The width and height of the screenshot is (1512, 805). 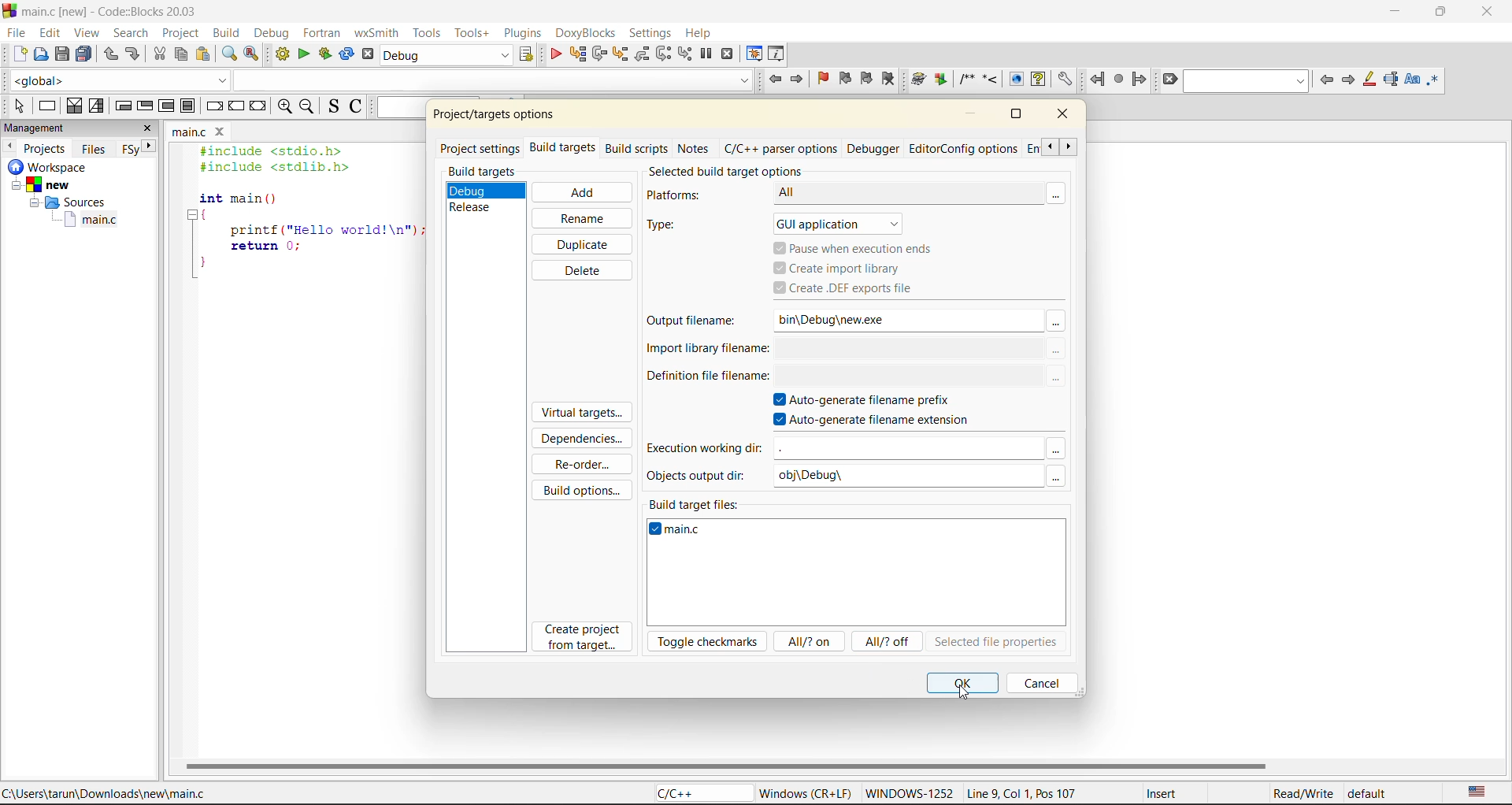 I want to click on selected file properties, so click(x=1001, y=642).